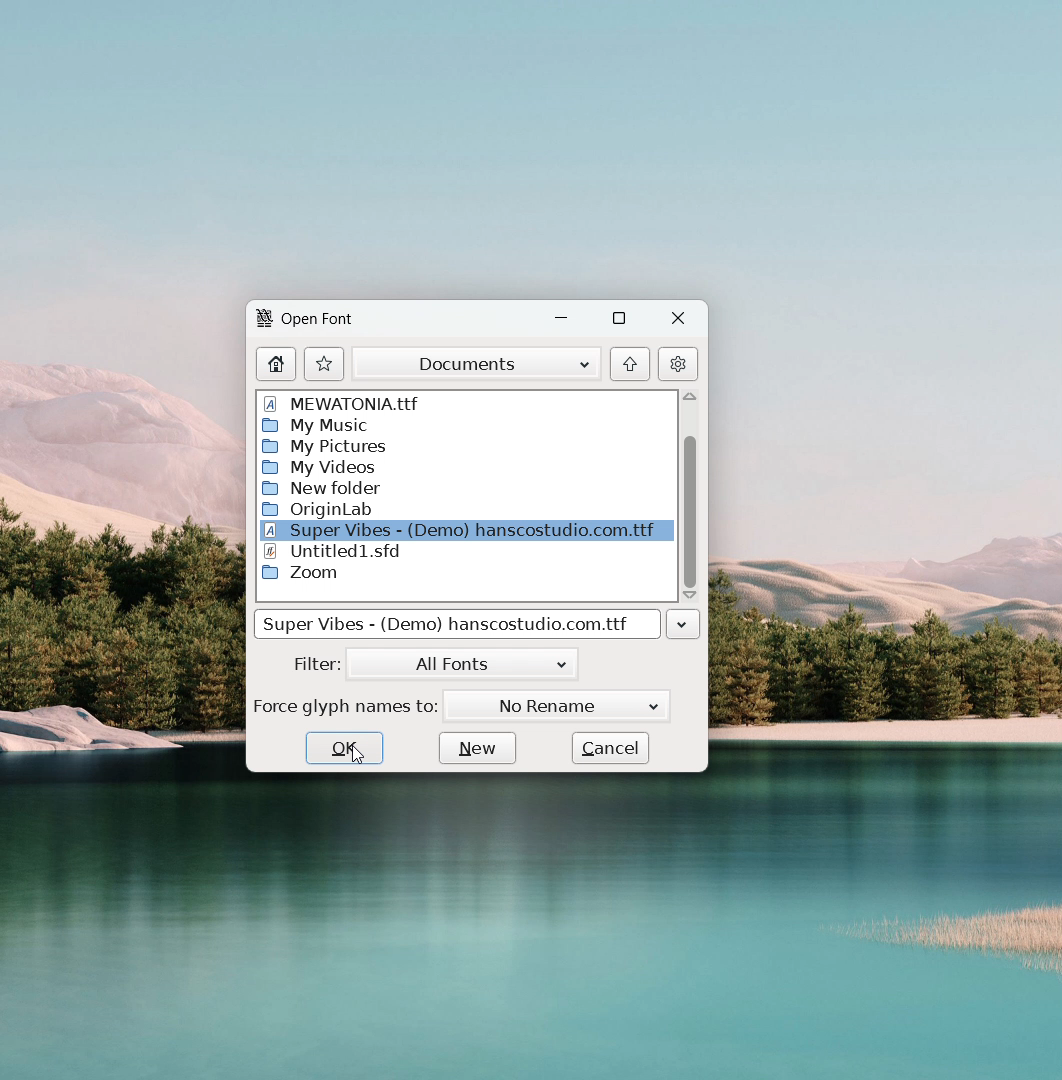 The image size is (1062, 1080). I want to click on Open Font, so click(316, 319).